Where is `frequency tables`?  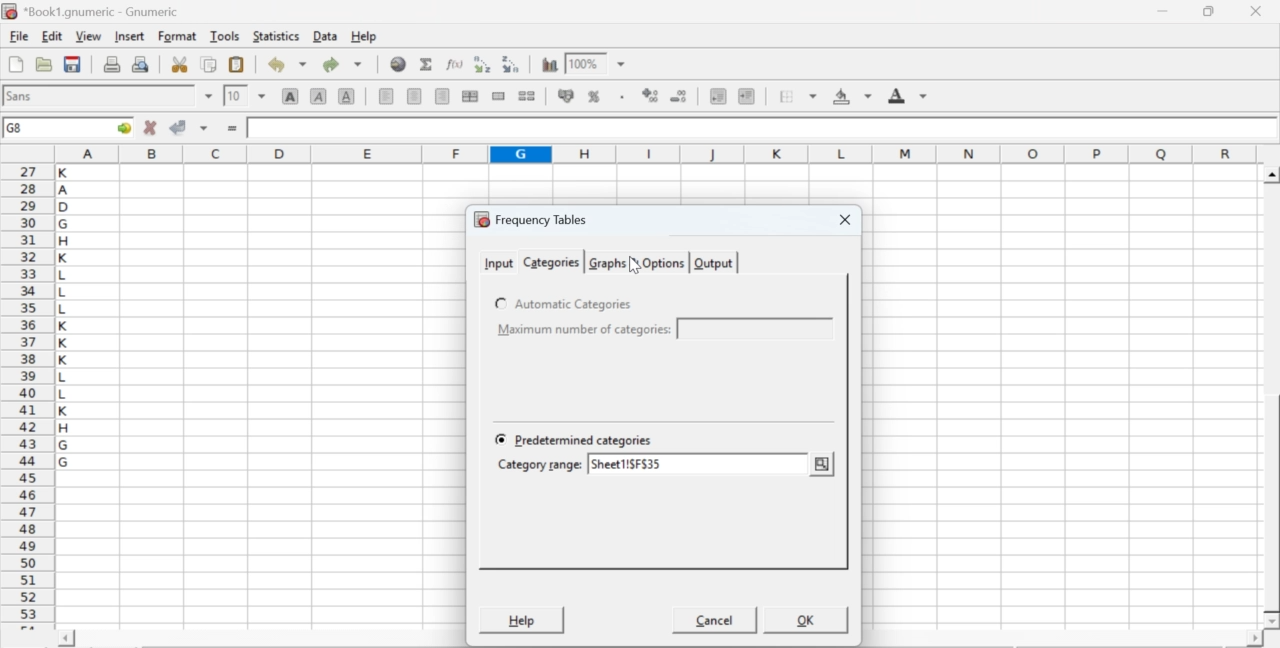
frequency tables is located at coordinates (531, 219).